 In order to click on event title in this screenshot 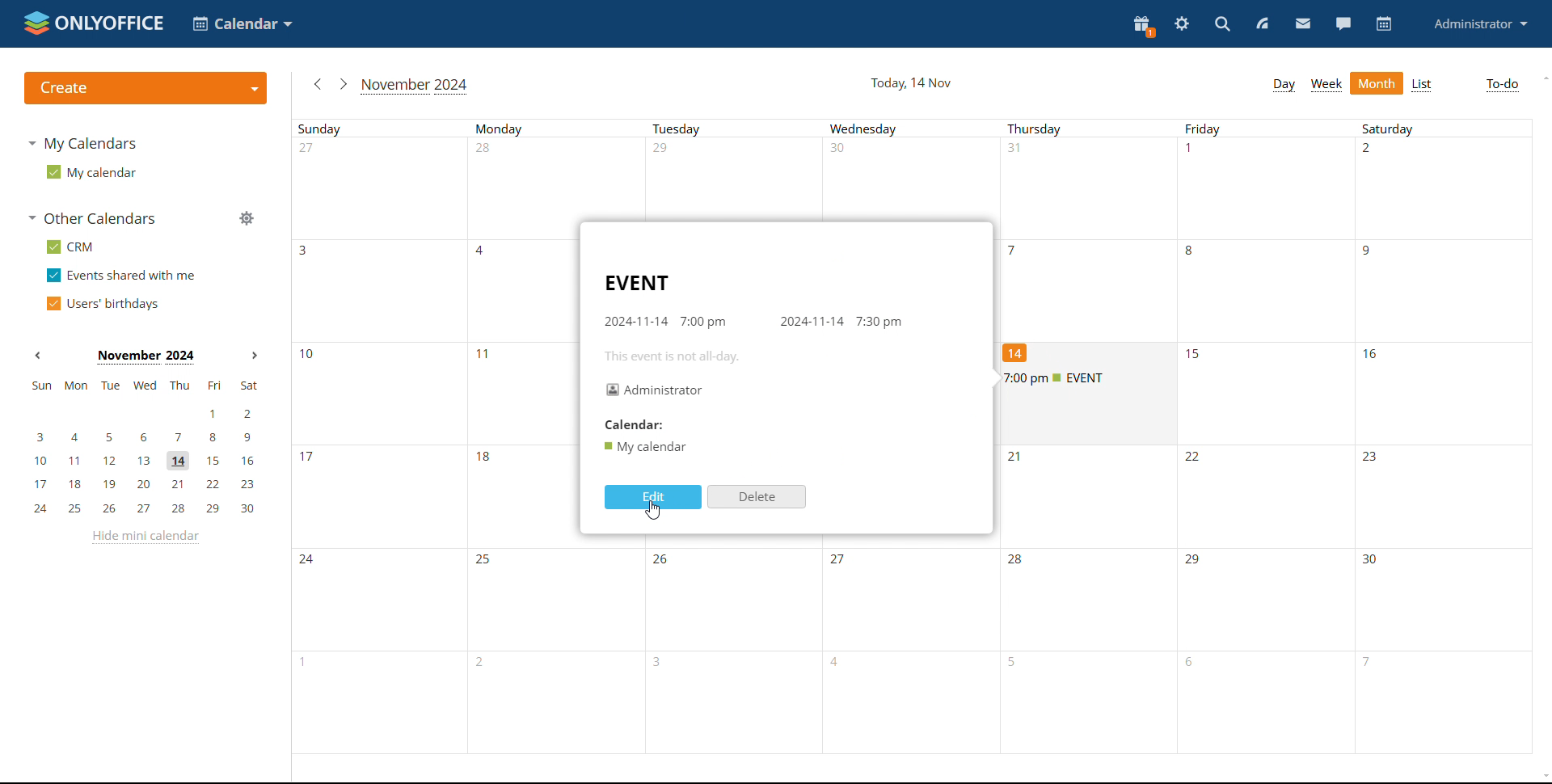, I will do `click(635, 282)`.